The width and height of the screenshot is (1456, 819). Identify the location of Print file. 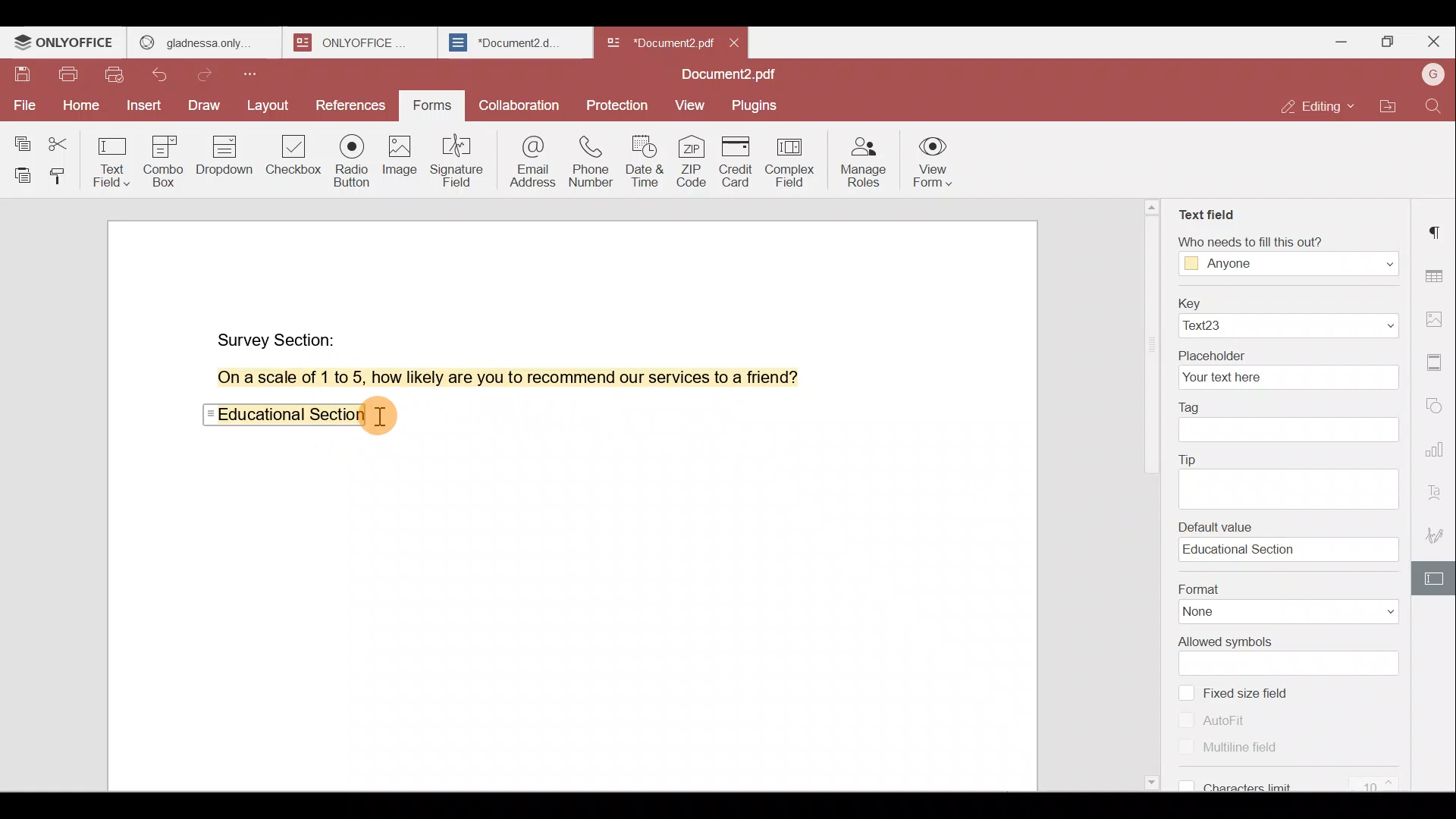
(67, 77).